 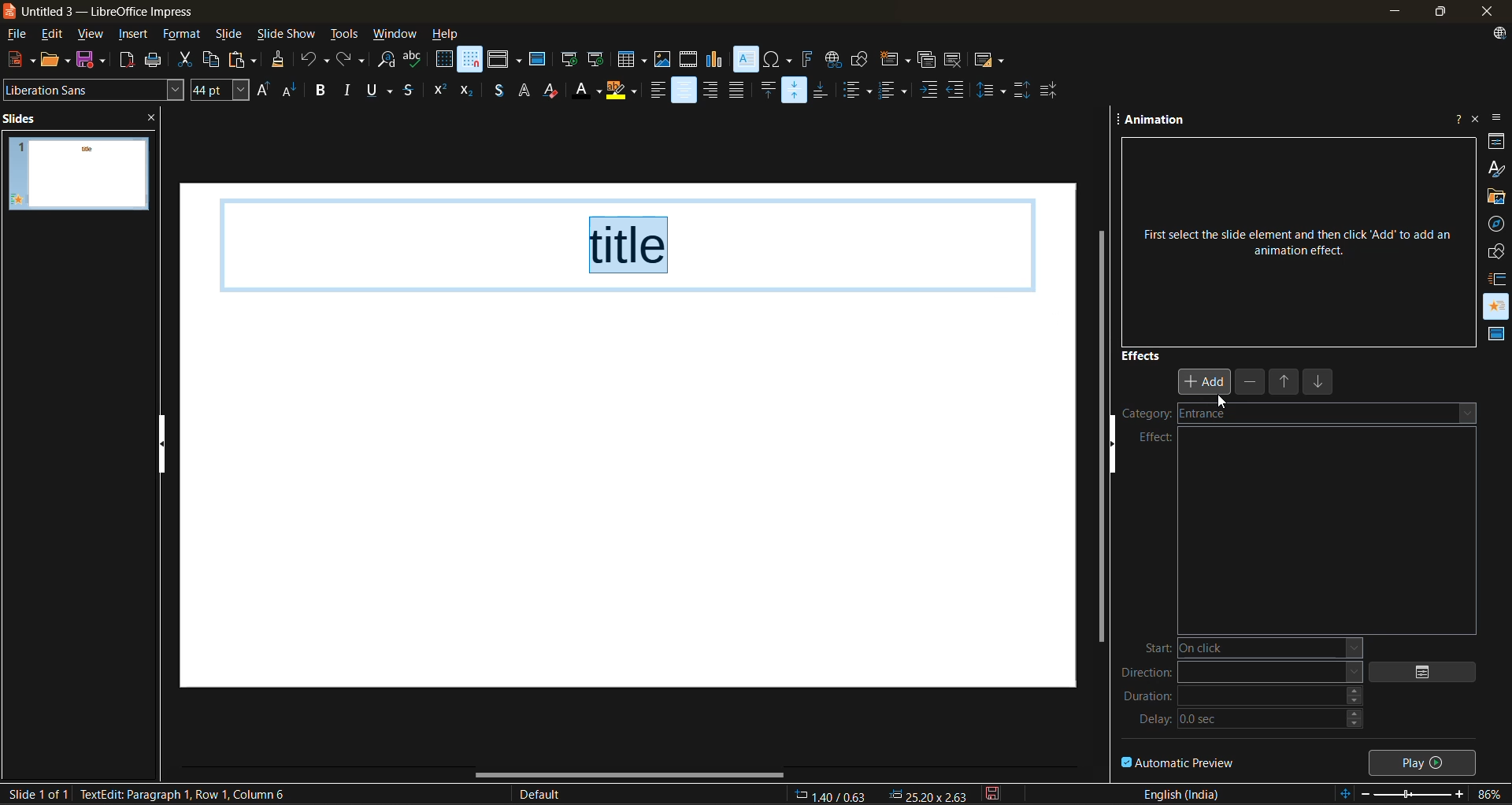 What do you see at coordinates (137, 36) in the screenshot?
I see `insert` at bounding box center [137, 36].